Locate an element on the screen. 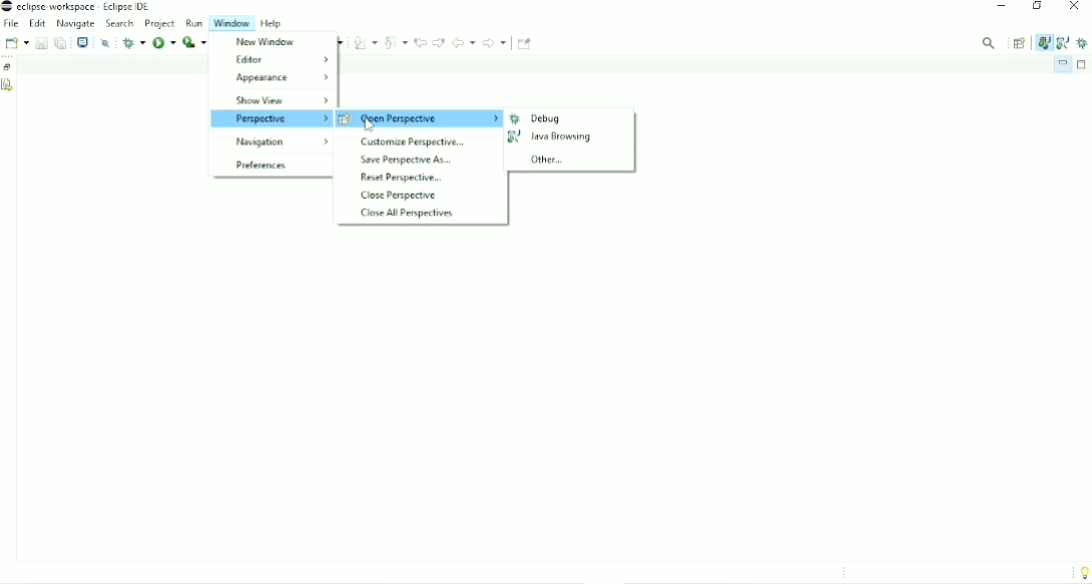 The width and height of the screenshot is (1092, 584). Run is located at coordinates (194, 42).